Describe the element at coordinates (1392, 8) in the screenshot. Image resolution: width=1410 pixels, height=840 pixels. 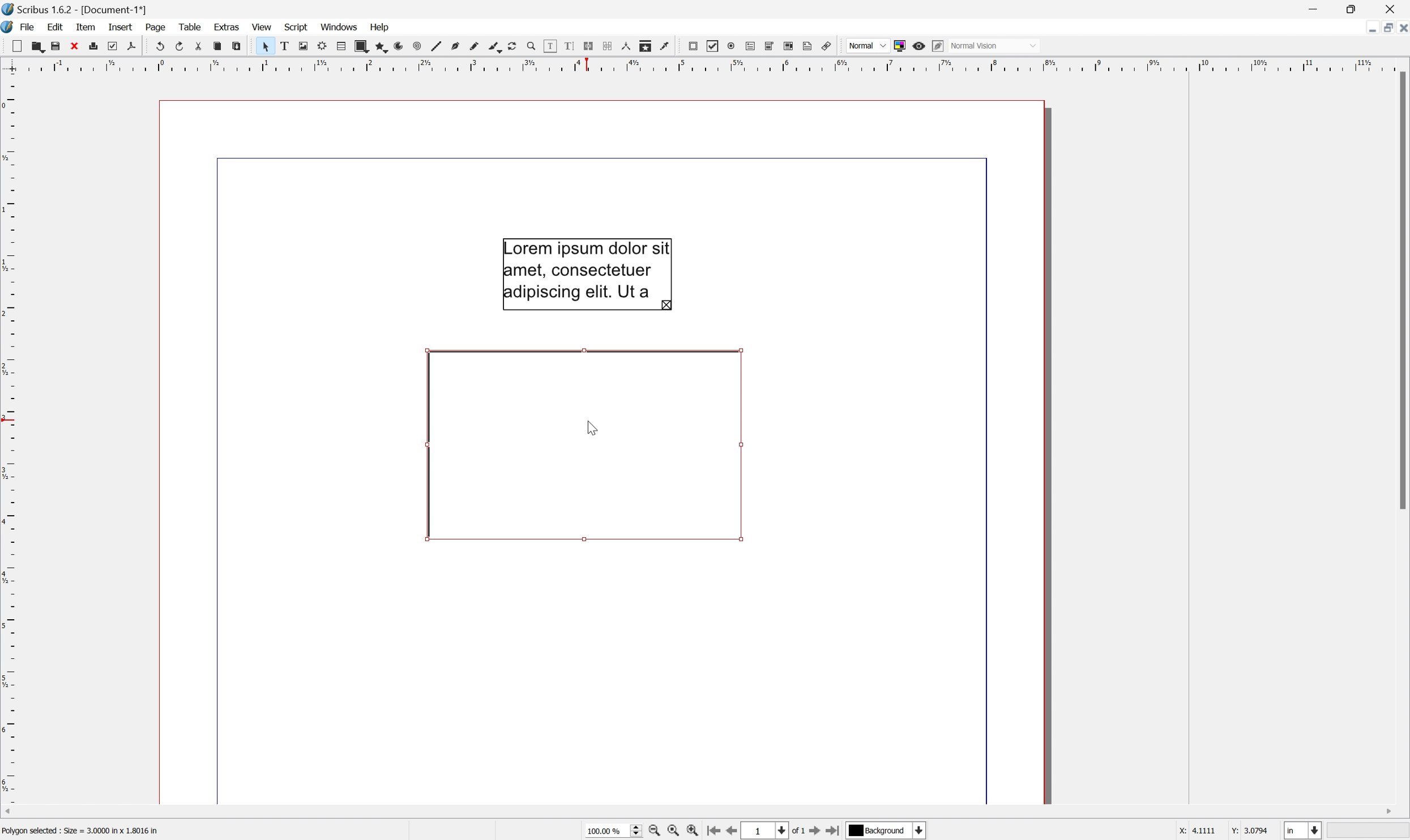
I see `Close` at that location.